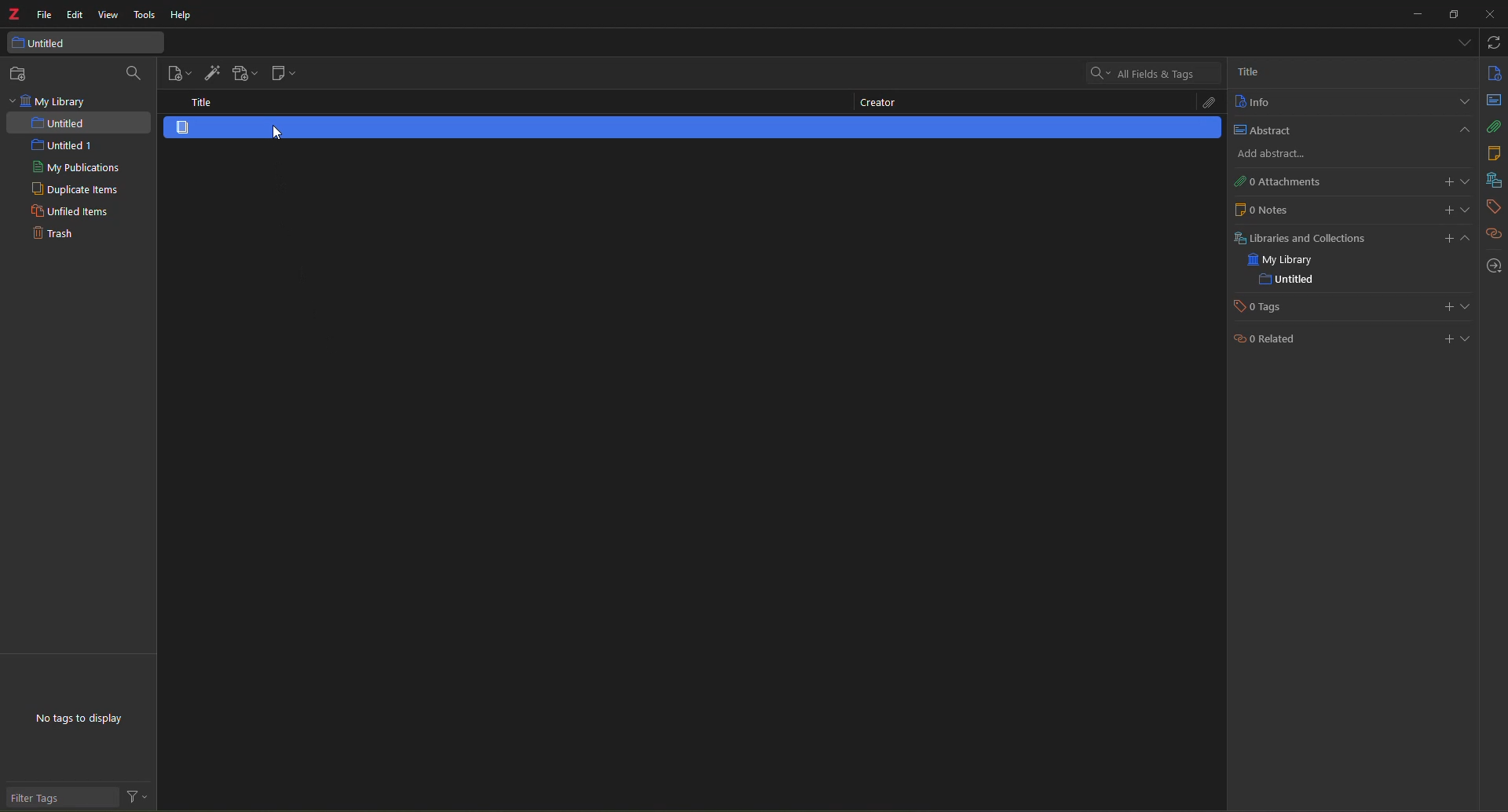 The height and width of the screenshot is (812, 1508). Describe the element at coordinates (14, 16) in the screenshot. I see `z` at that location.